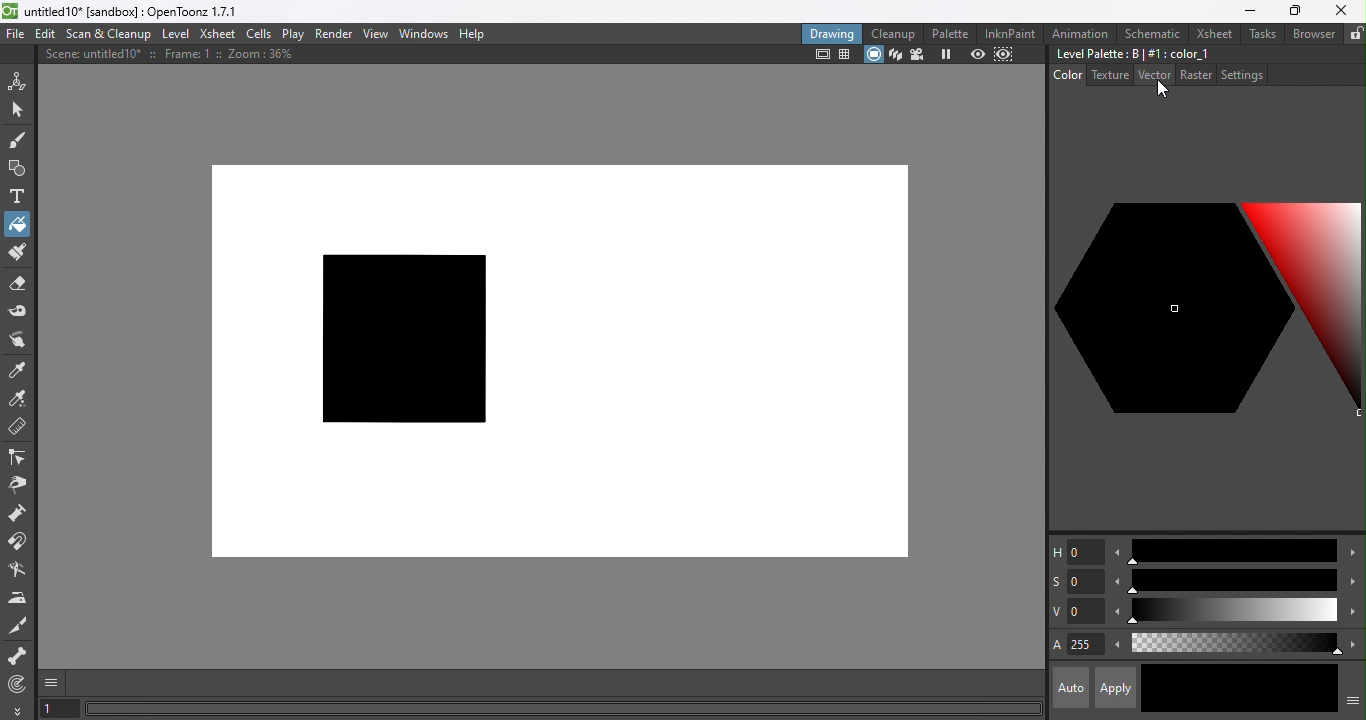  I want to click on Settings, so click(1241, 74).